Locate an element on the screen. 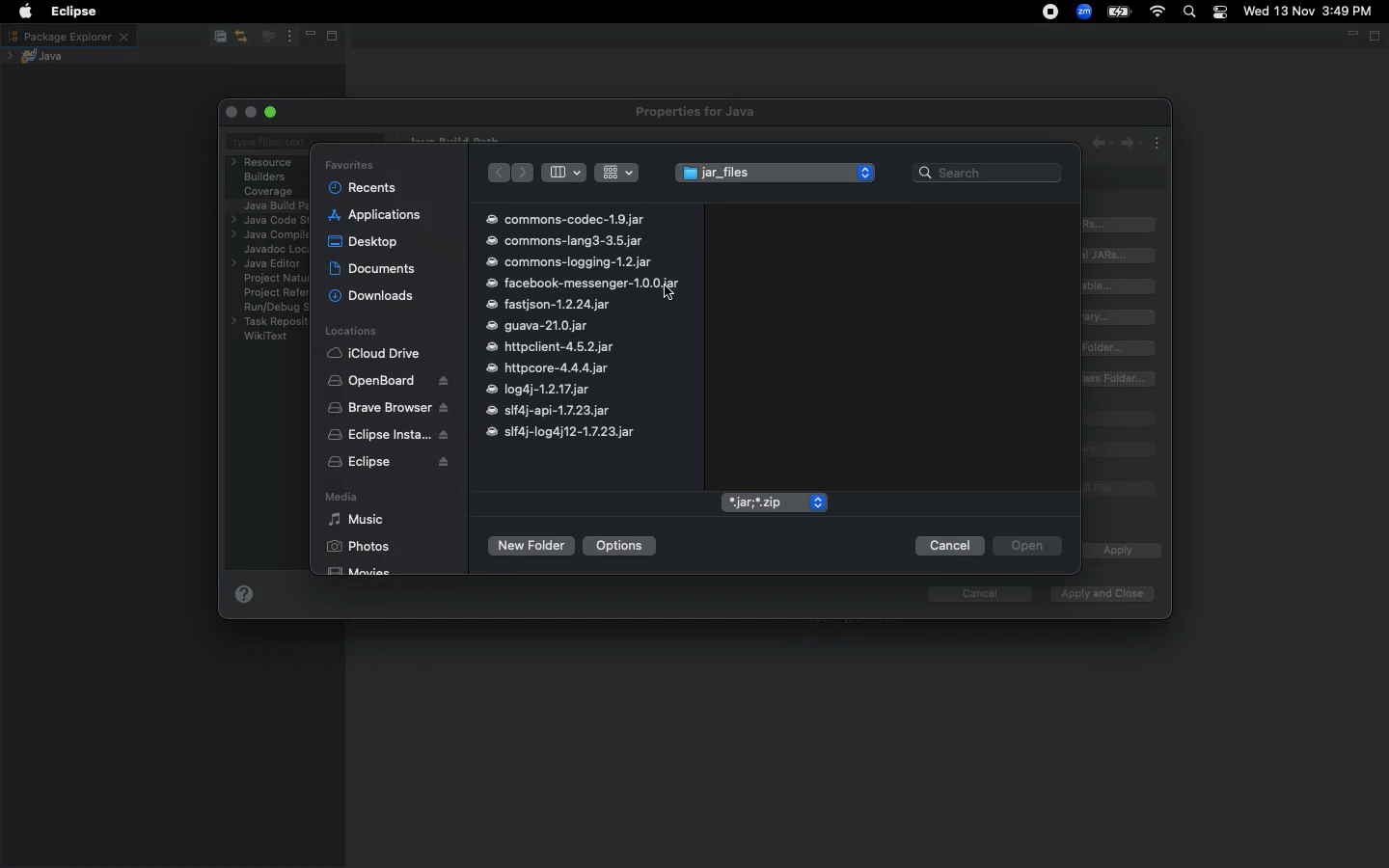 This screenshot has width=1389, height=868. iCloud Drive is located at coordinates (374, 354).